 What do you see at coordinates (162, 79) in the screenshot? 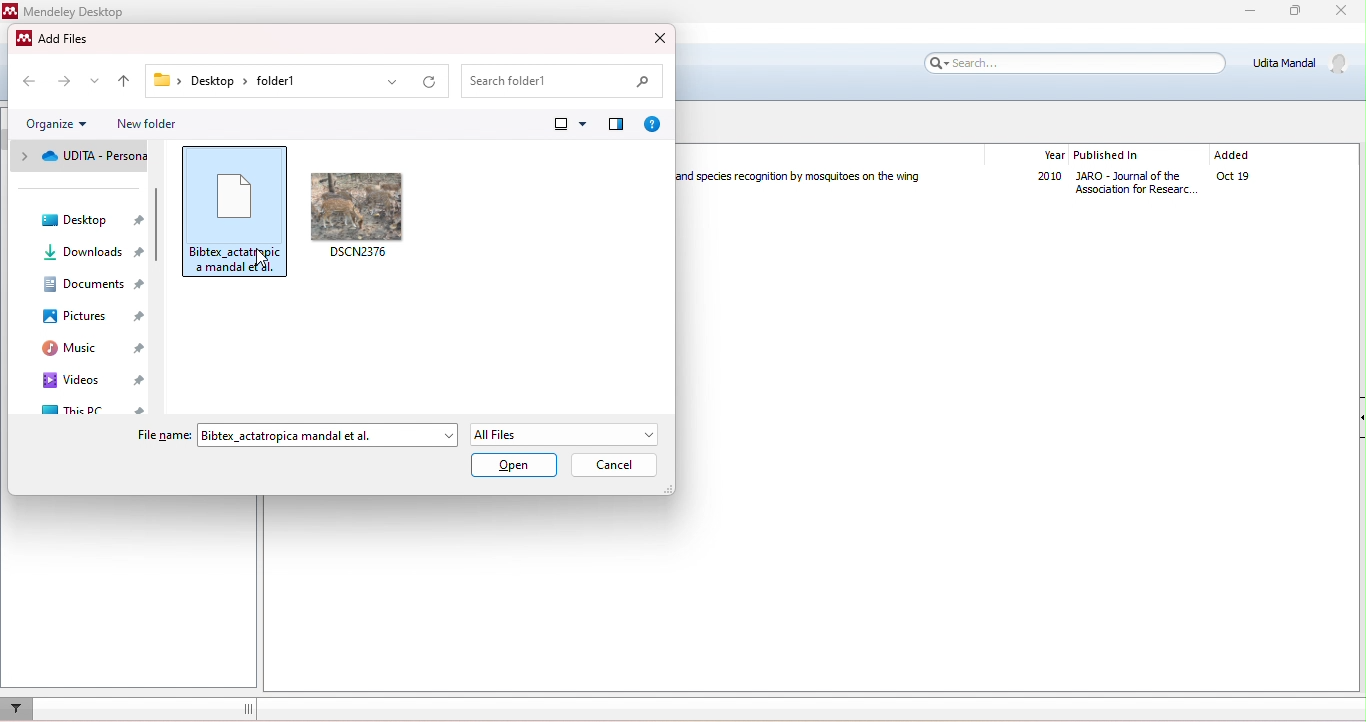
I see `Folder` at bounding box center [162, 79].